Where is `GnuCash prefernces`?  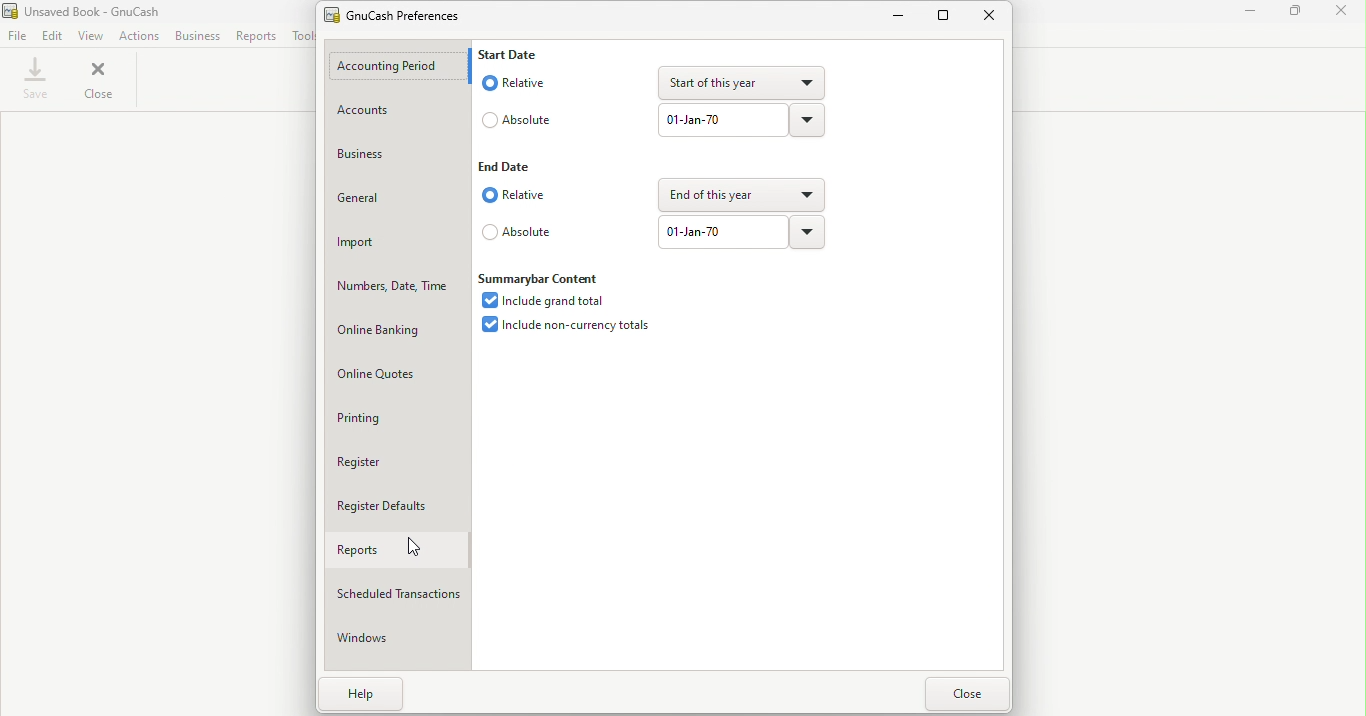
GnuCash prefernces is located at coordinates (402, 18).